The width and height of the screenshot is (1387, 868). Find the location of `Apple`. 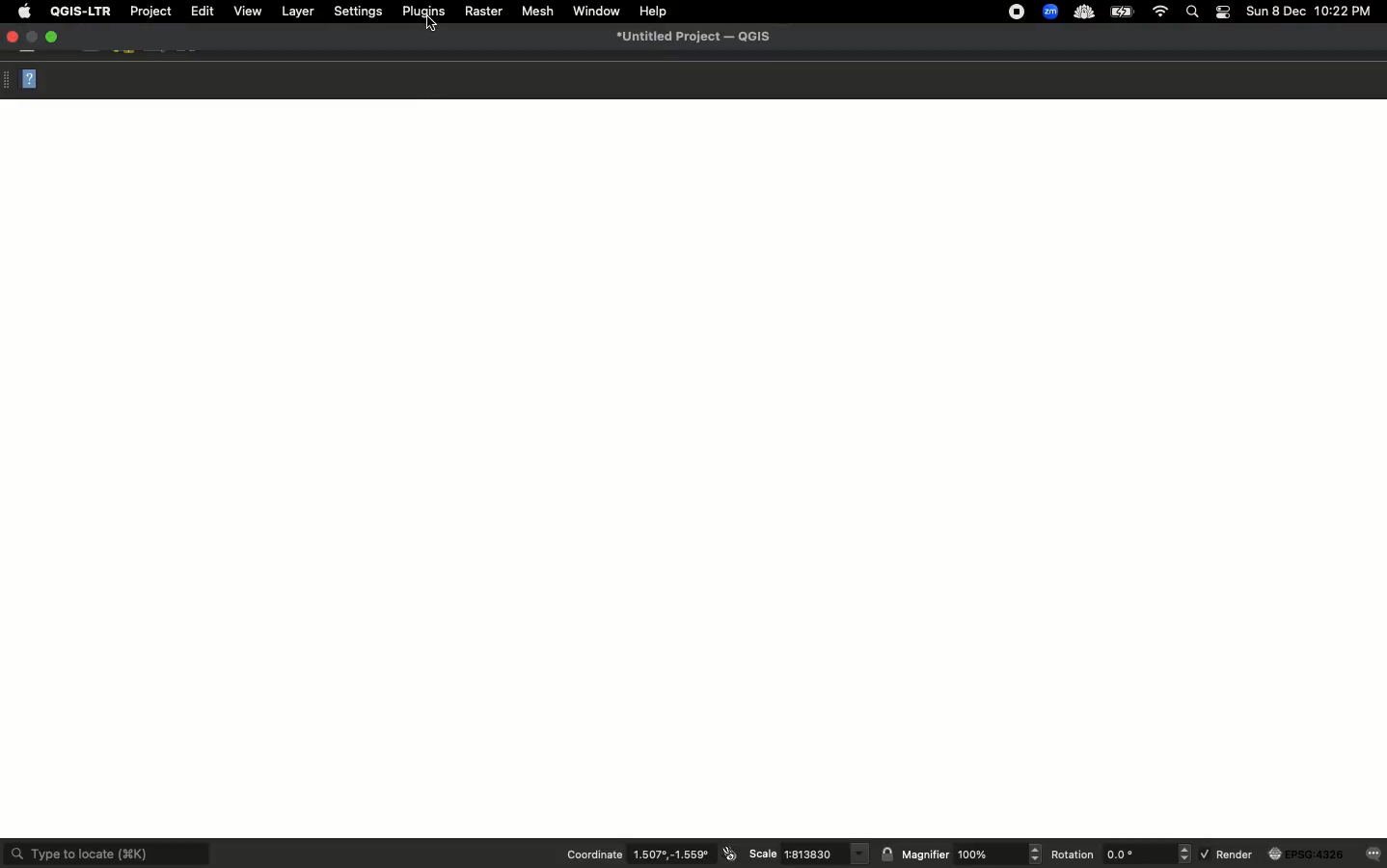

Apple is located at coordinates (21, 12).